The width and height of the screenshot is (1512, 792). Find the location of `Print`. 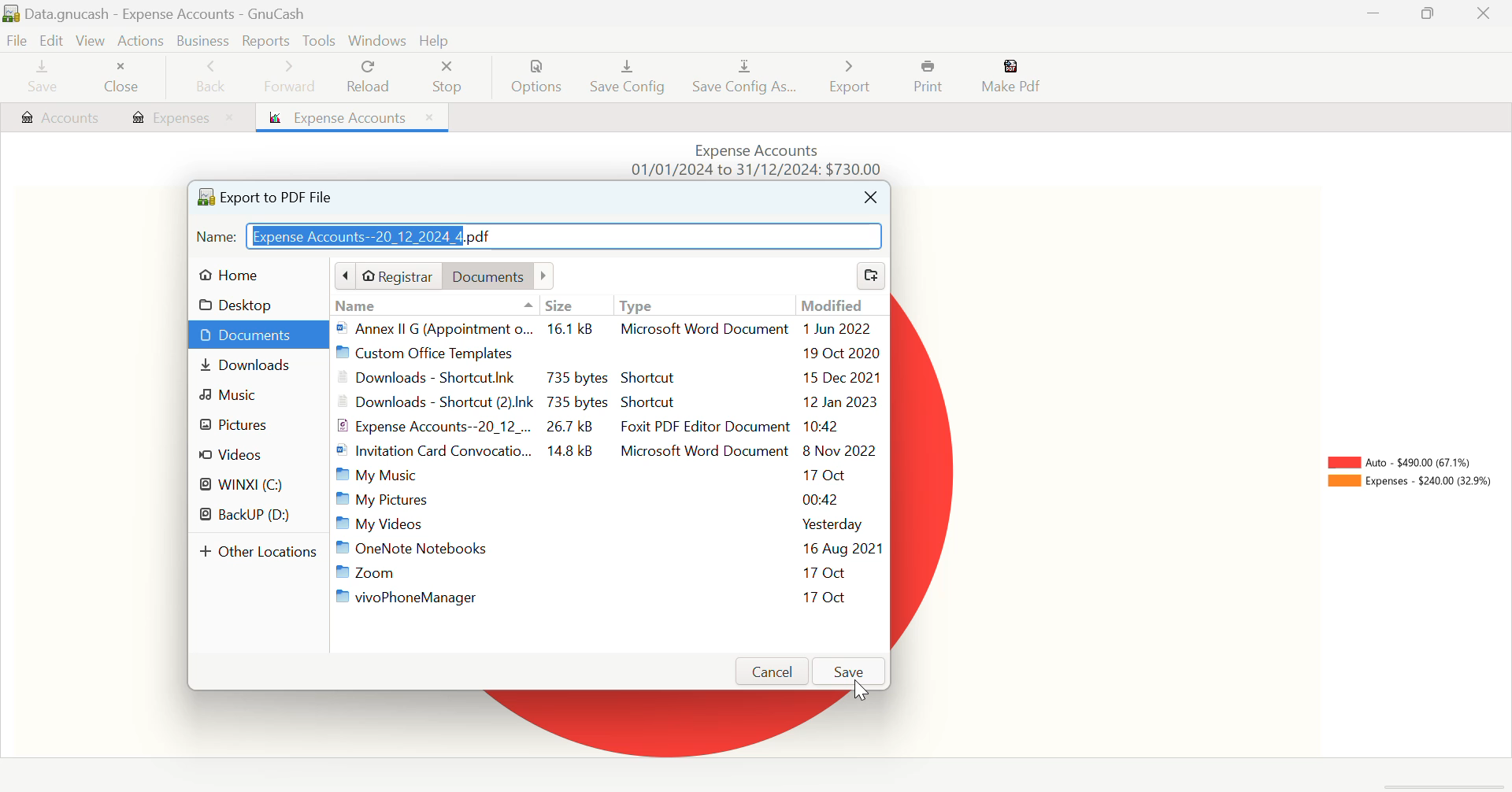

Print is located at coordinates (930, 77).